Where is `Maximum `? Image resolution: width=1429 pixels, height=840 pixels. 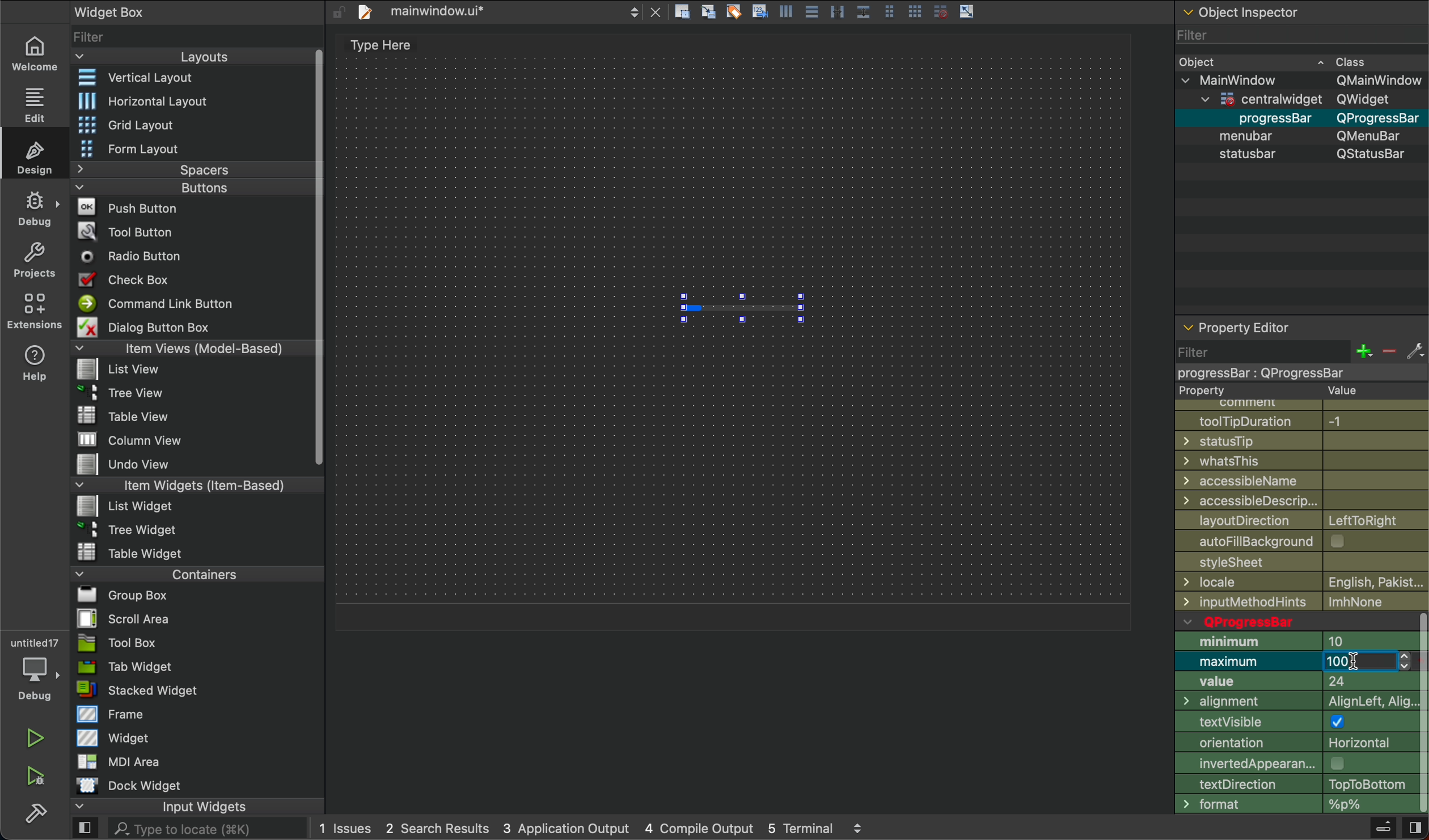
Maximum  is located at coordinates (1249, 663).